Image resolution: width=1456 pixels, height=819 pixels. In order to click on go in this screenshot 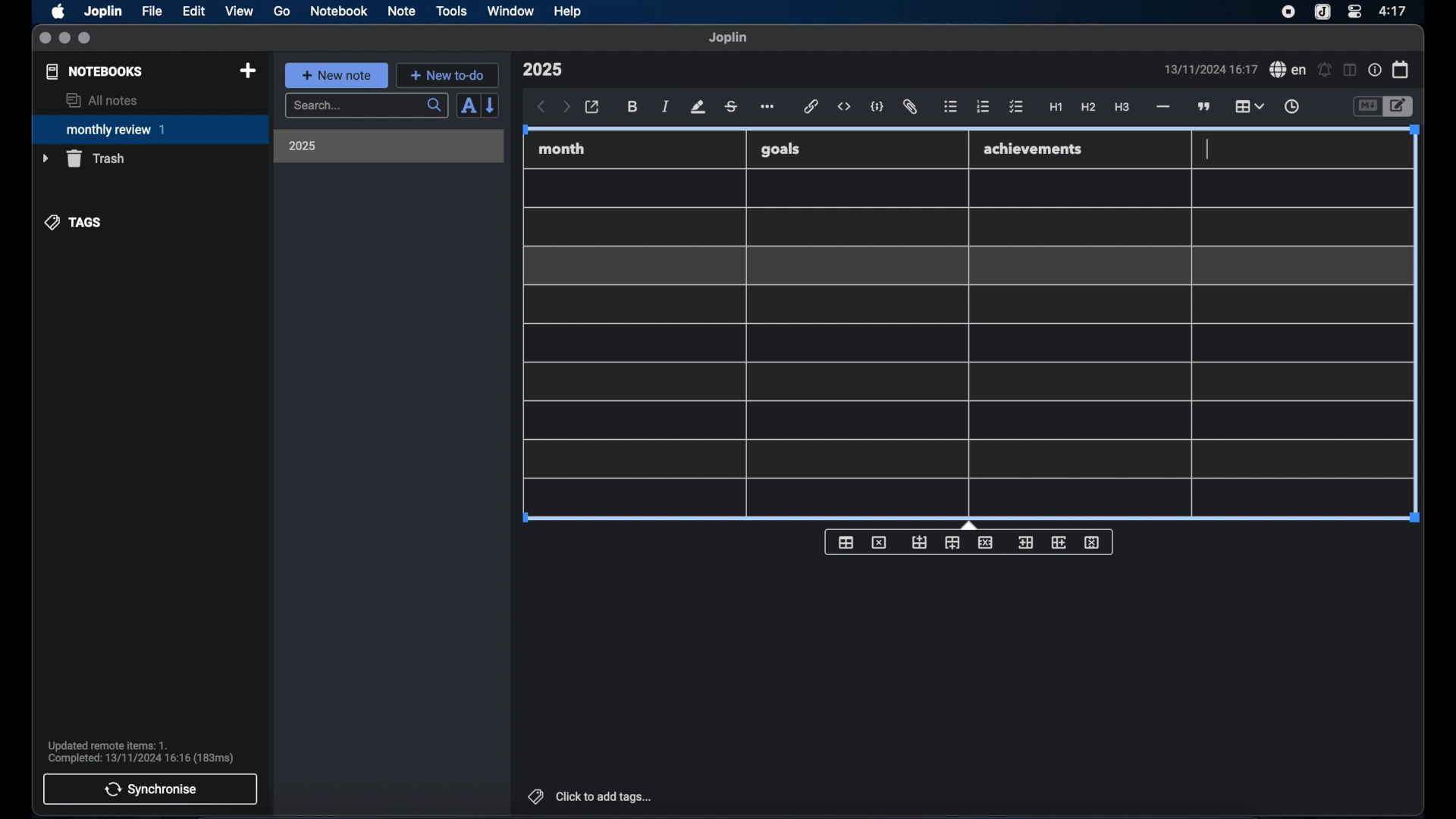, I will do `click(282, 11)`.